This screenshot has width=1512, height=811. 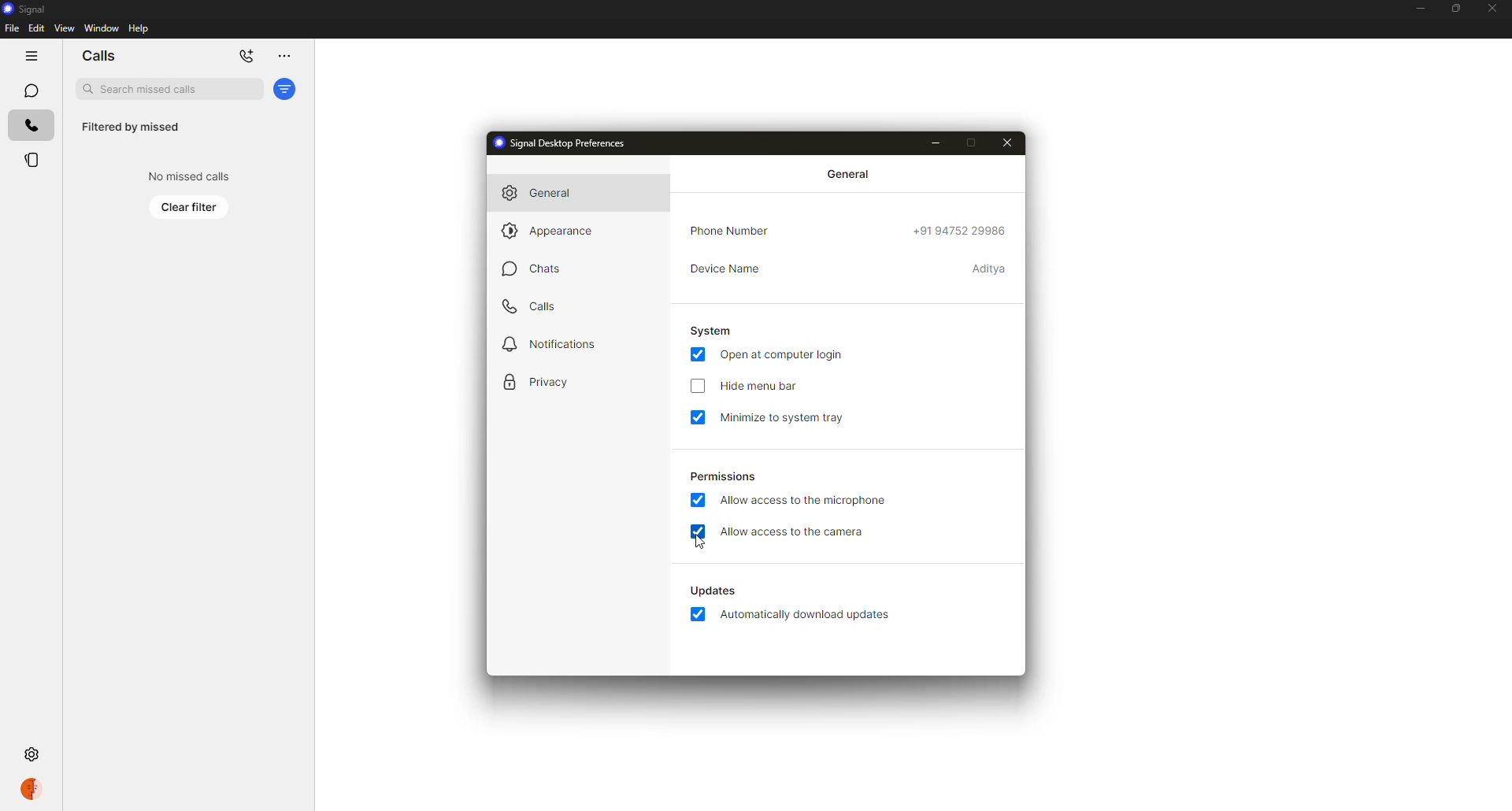 What do you see at coordinates (724, 477) in the screenshot?
I see `permissions` at bounding box center [724, 477].